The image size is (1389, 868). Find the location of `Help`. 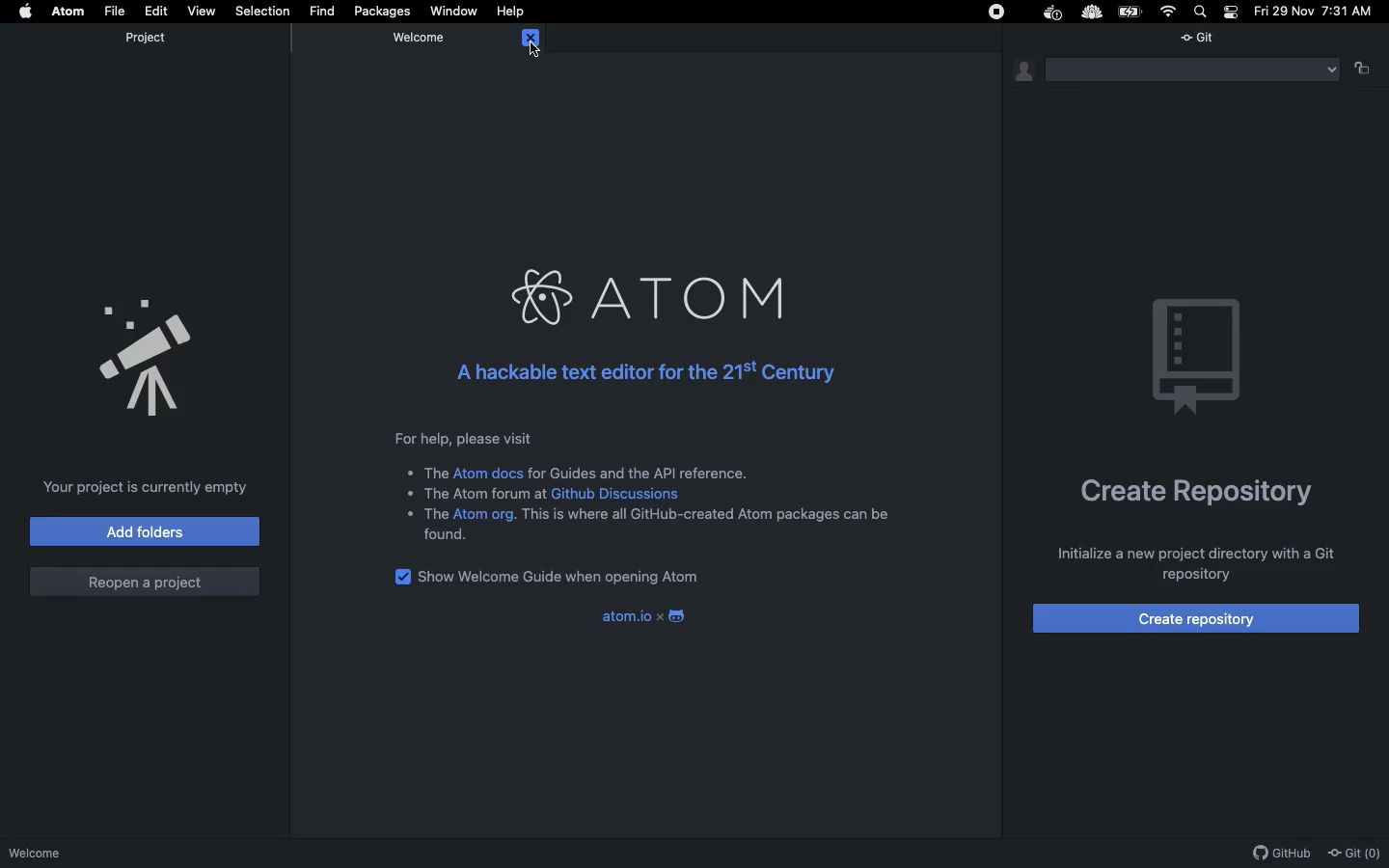

Help is located at coordinates (513, 12).